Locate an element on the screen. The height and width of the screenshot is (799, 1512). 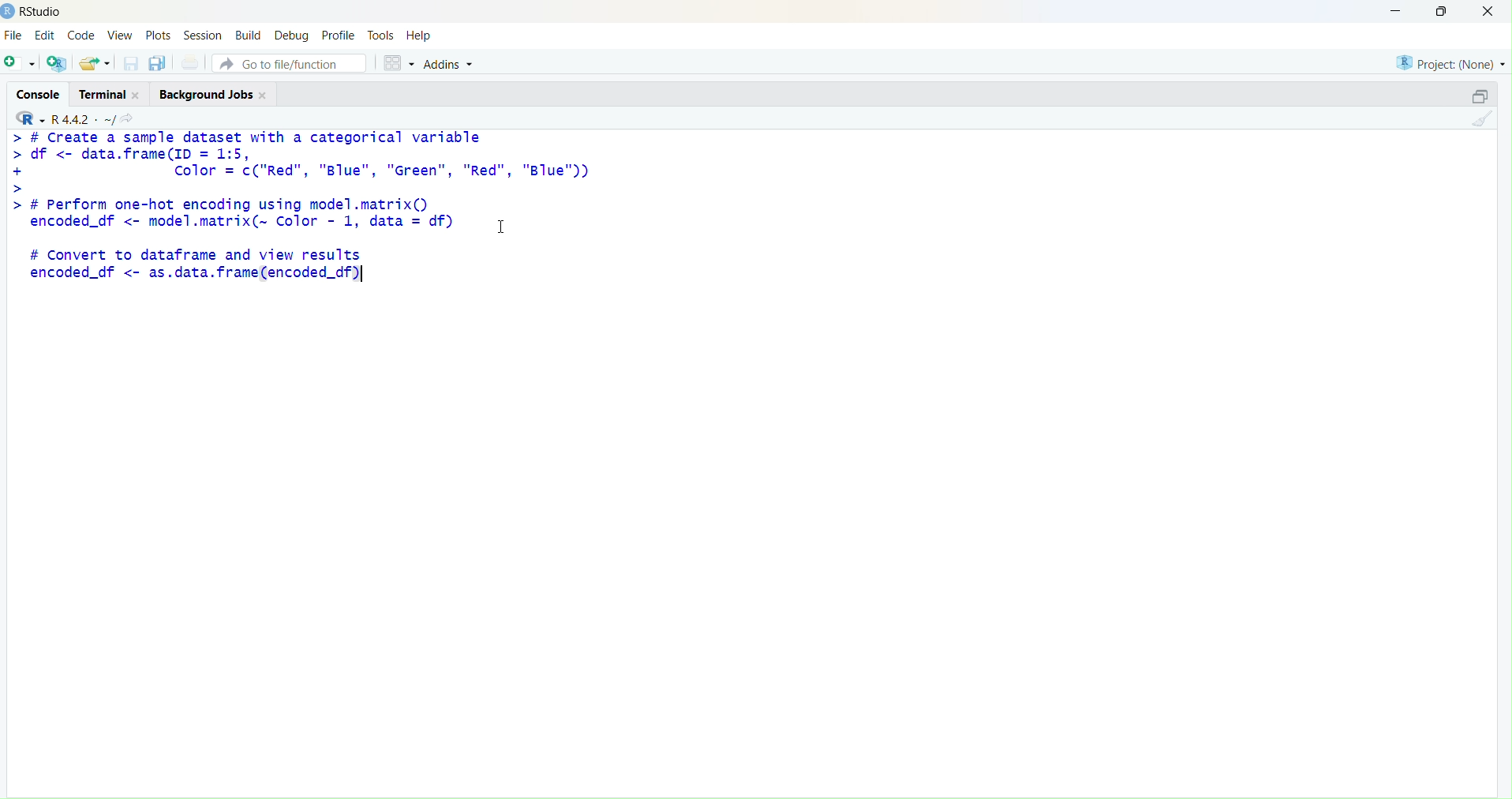
session is located at coordinates (204, 36).